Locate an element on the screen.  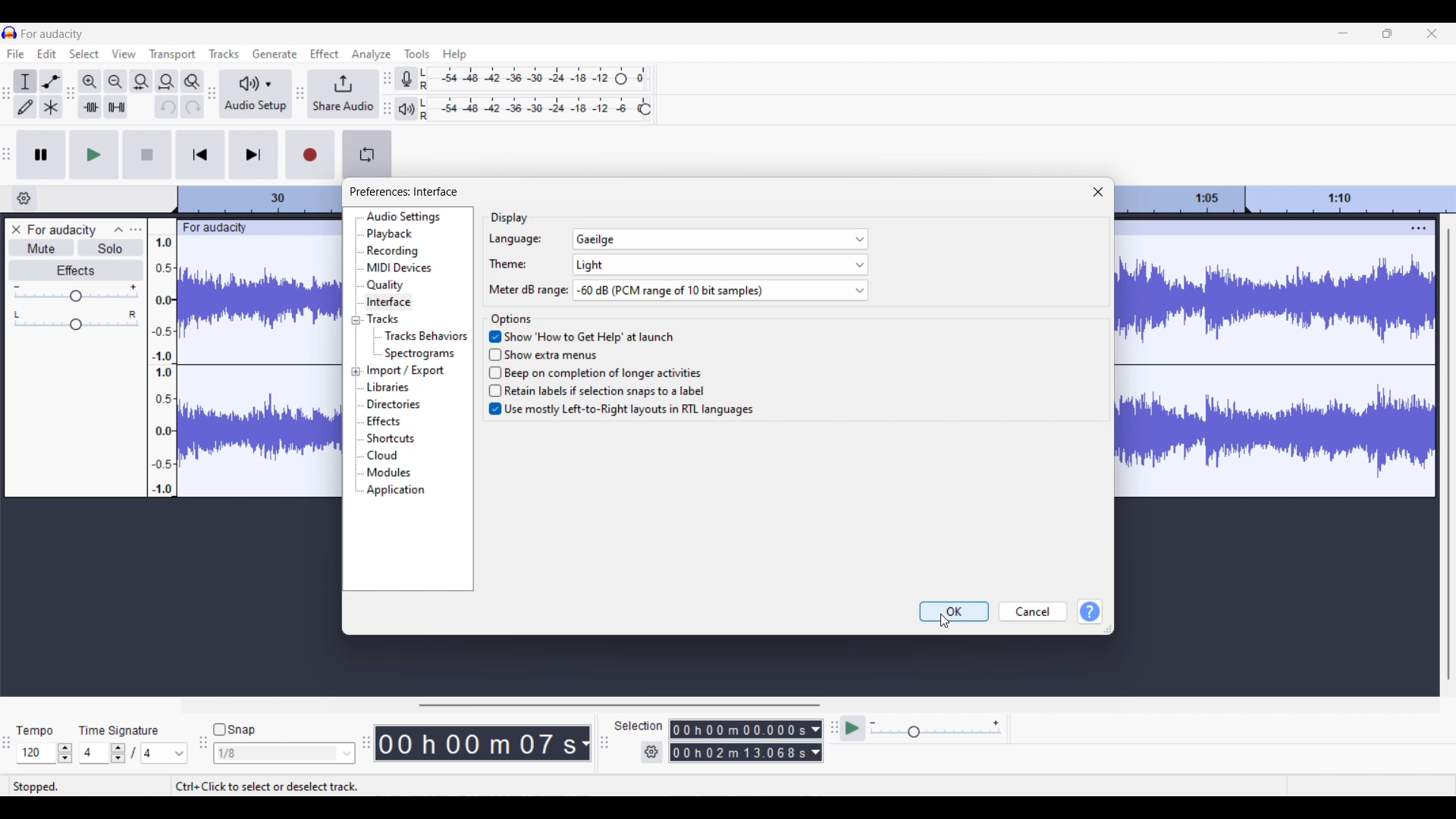
0 0 h 0 0 m 0 0 0 0 0 s     0 0 h 02 m 1 3 0 6 8 s is located at coordinates (739, 740).